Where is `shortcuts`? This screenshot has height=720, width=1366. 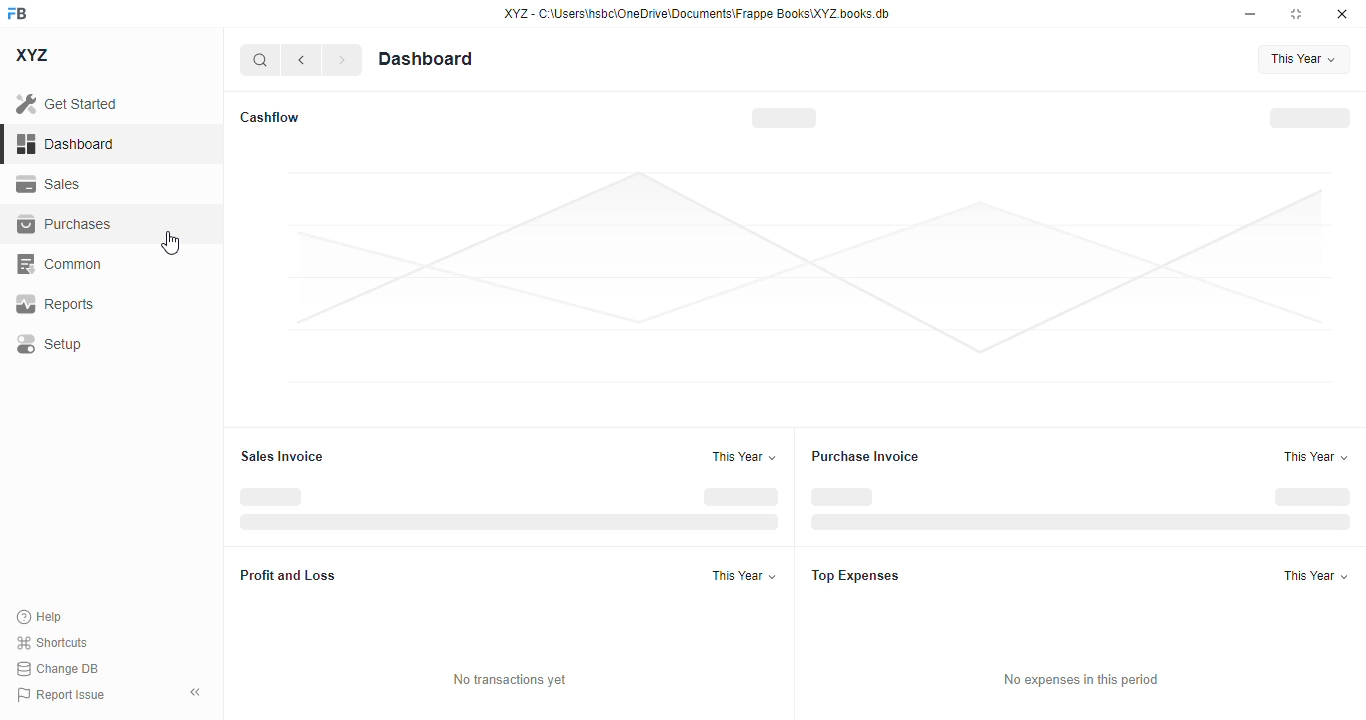
shortcuts is located at coordinates (53, 642).